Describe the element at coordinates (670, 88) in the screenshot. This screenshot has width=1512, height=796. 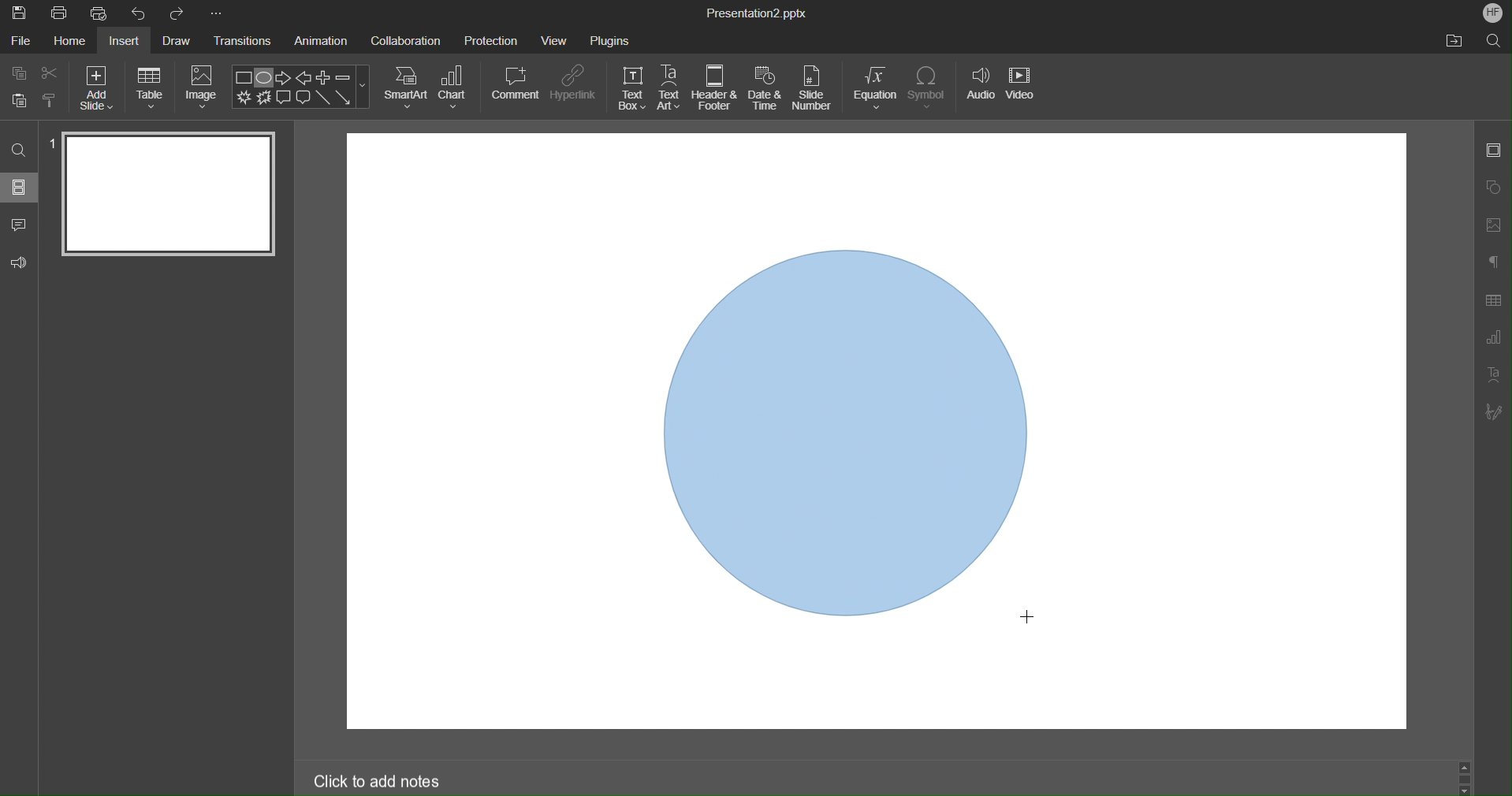
I see `Text Art` at that location.